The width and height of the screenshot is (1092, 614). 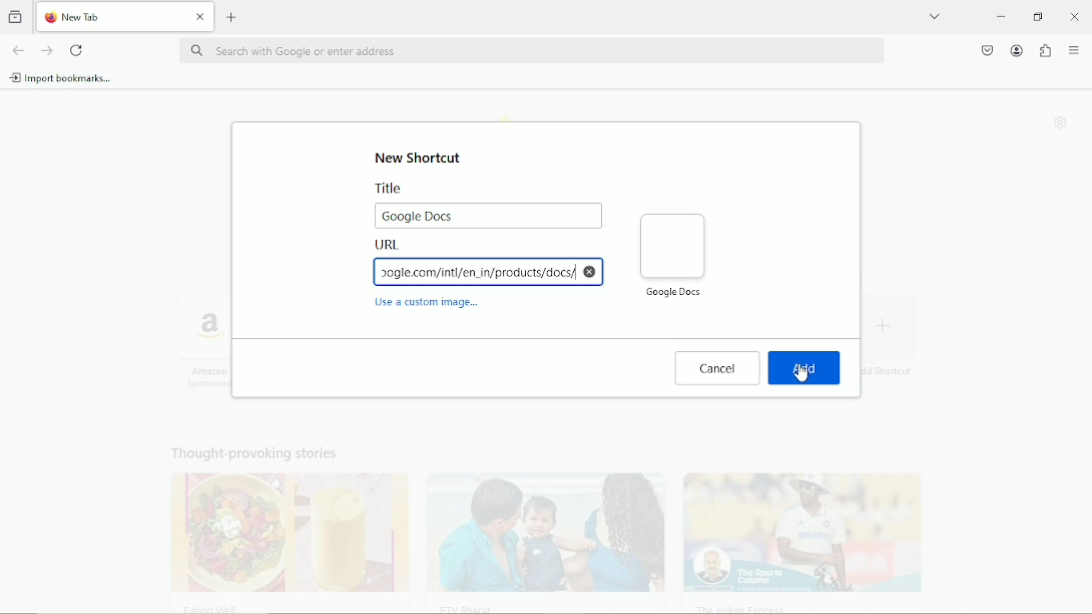 What do you see at coordinates (805, 368) in the screenshot?
I see `add` at bounding box center [805, 368].